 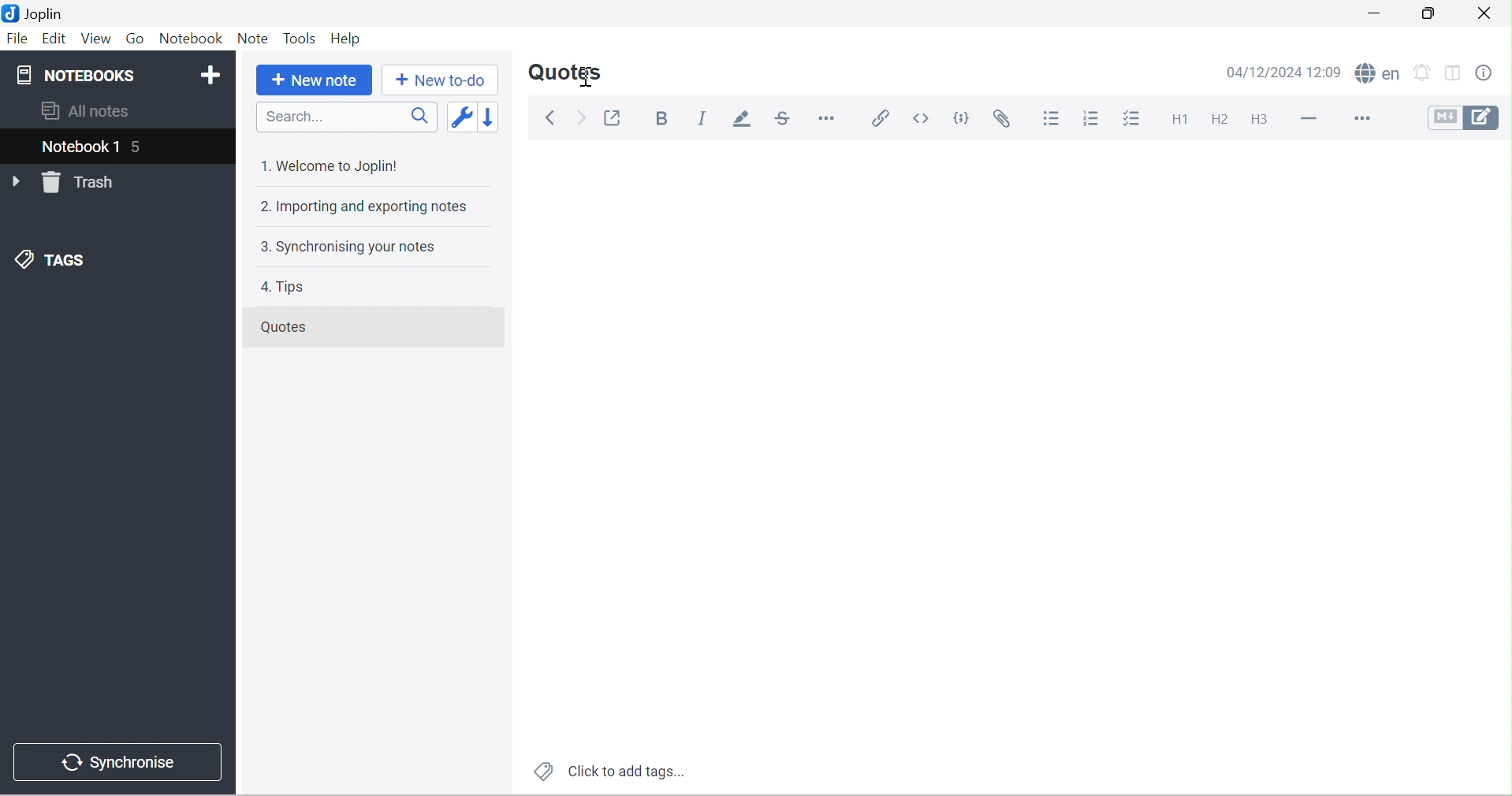 I want to click on Add notebook, so click(x=213, y=76).